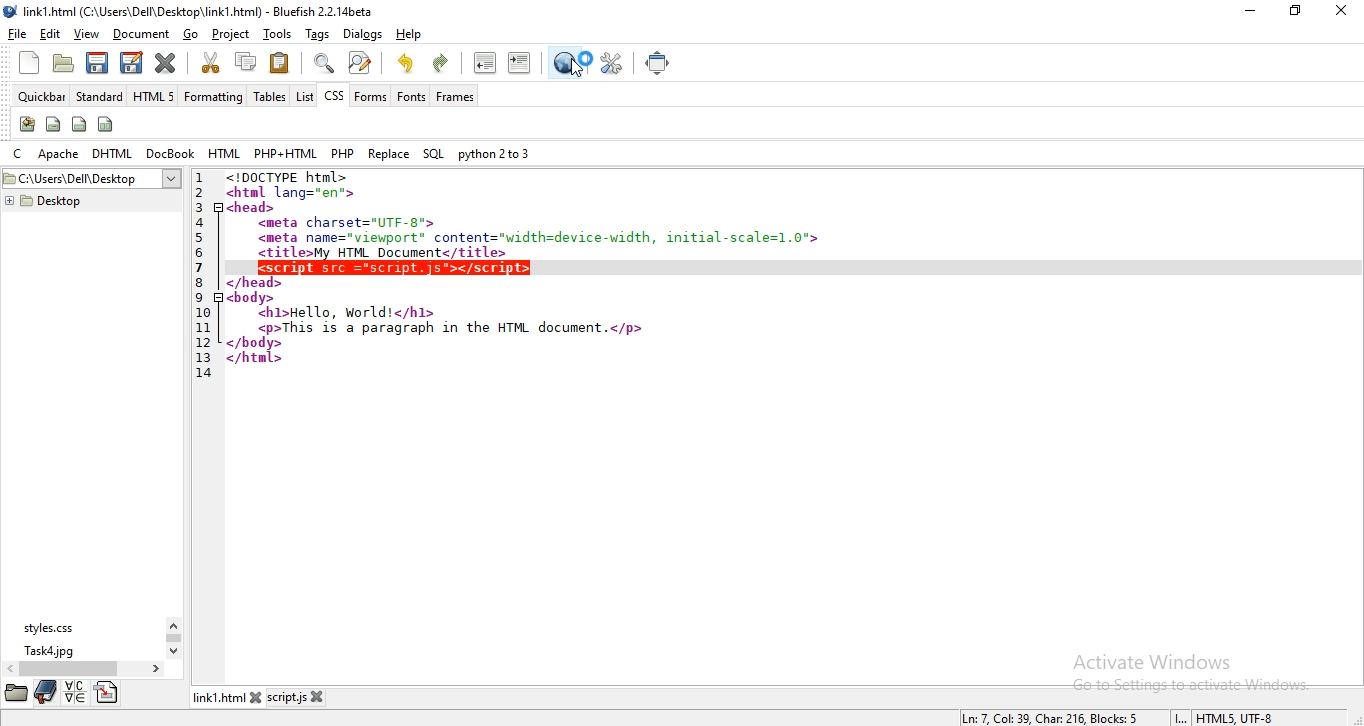  What do you see at coordinates (199, 222) in the screenshot?
I see `4` at bounding box center [199, 222].